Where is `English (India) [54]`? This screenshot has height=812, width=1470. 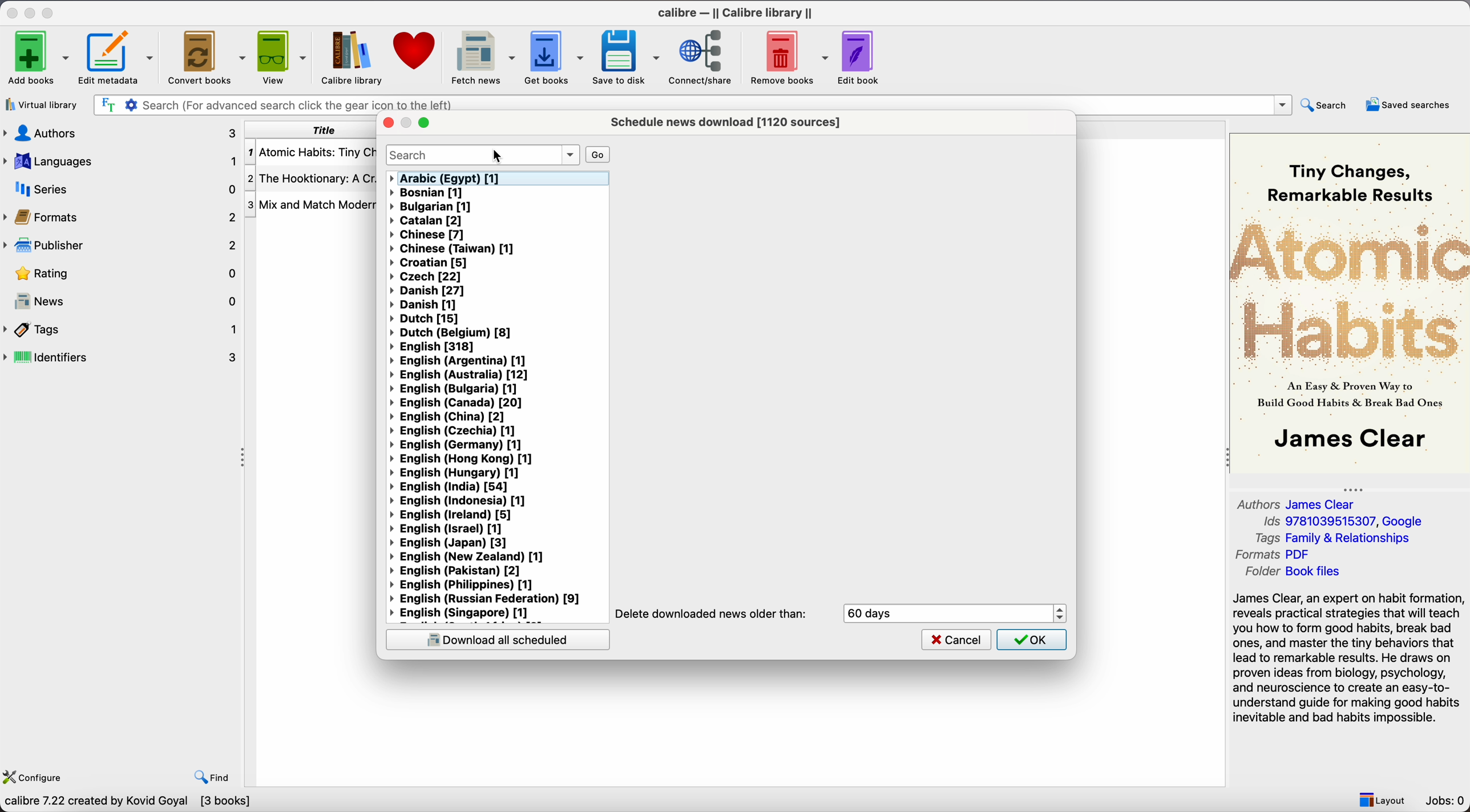 English (India) [54] is located at coordinates (449, 487).